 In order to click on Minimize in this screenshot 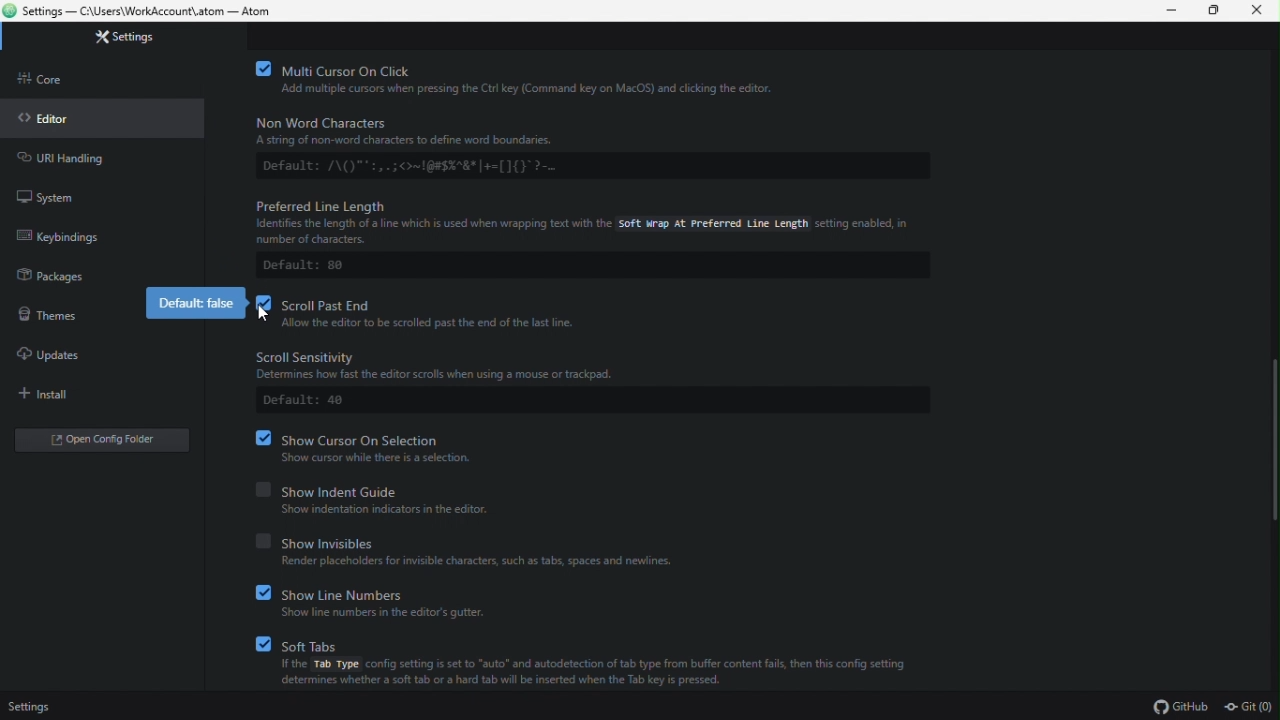, I will do `click(1171, 11)`.